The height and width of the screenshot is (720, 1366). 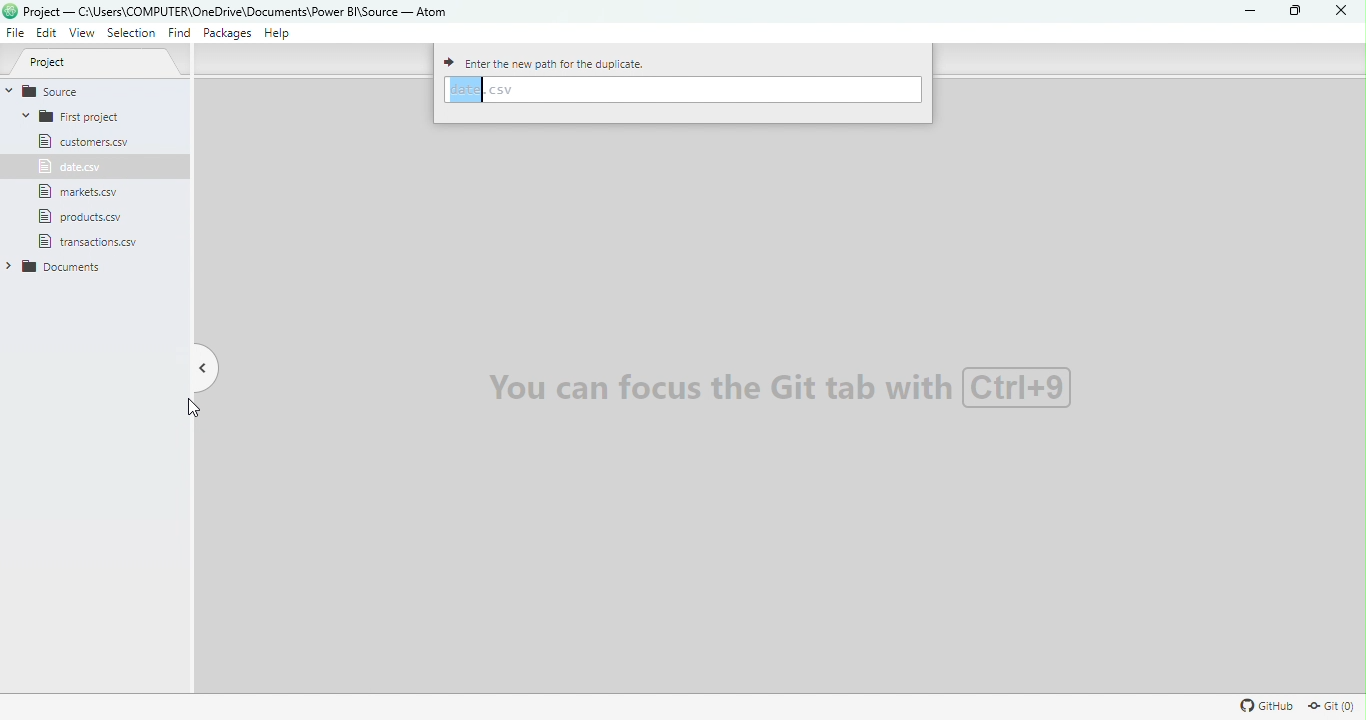 What do you see at coordinates (238, 10) in the screenshot?
I see `File name` at bounding box center [238, 10].